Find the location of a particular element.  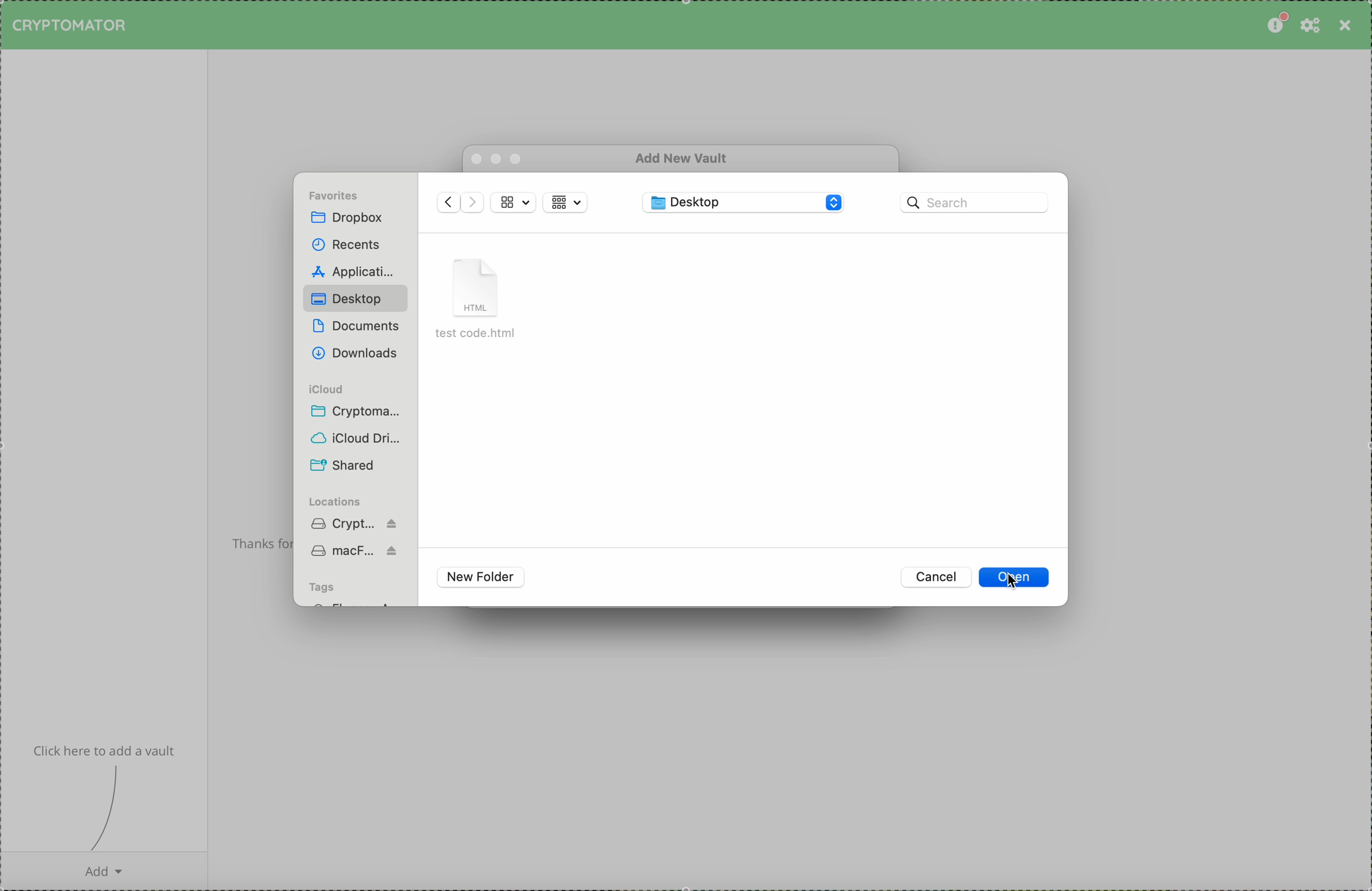

add new vault is located at coordinates (690, 157).